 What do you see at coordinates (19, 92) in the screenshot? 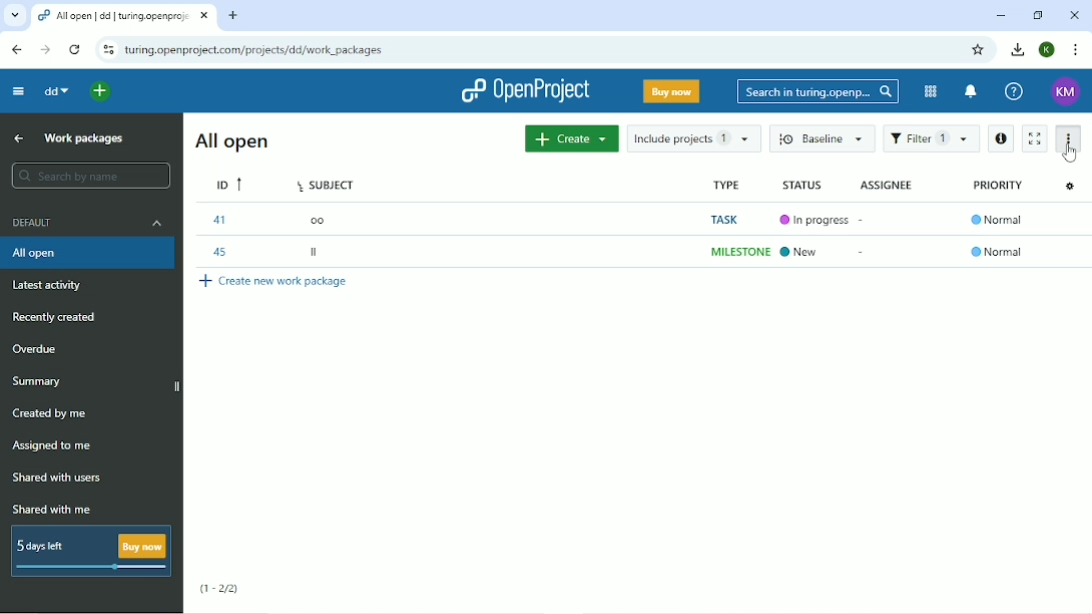
I see `Collapse project menu` at bounding box center [19, 92].